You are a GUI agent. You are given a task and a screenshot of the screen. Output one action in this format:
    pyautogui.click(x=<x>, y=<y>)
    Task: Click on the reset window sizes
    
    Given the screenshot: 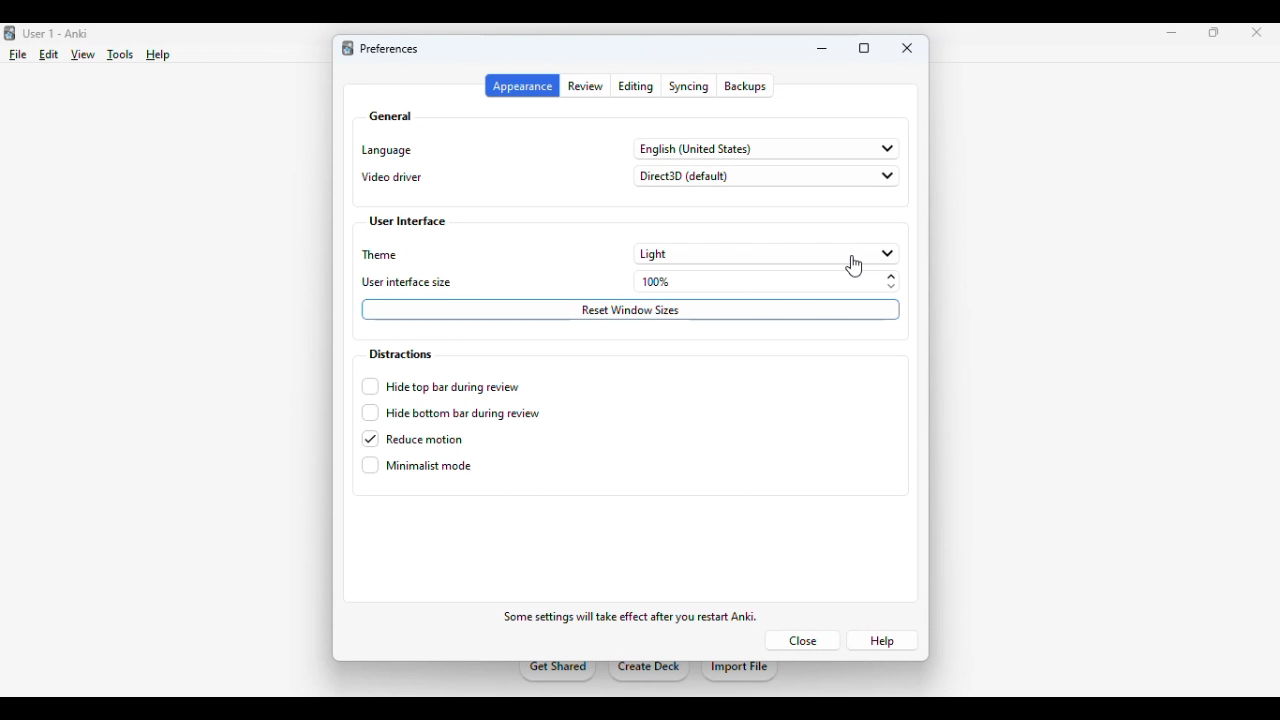 What is the action you would take?
    pyautogui.click(x=631, y=310)
    